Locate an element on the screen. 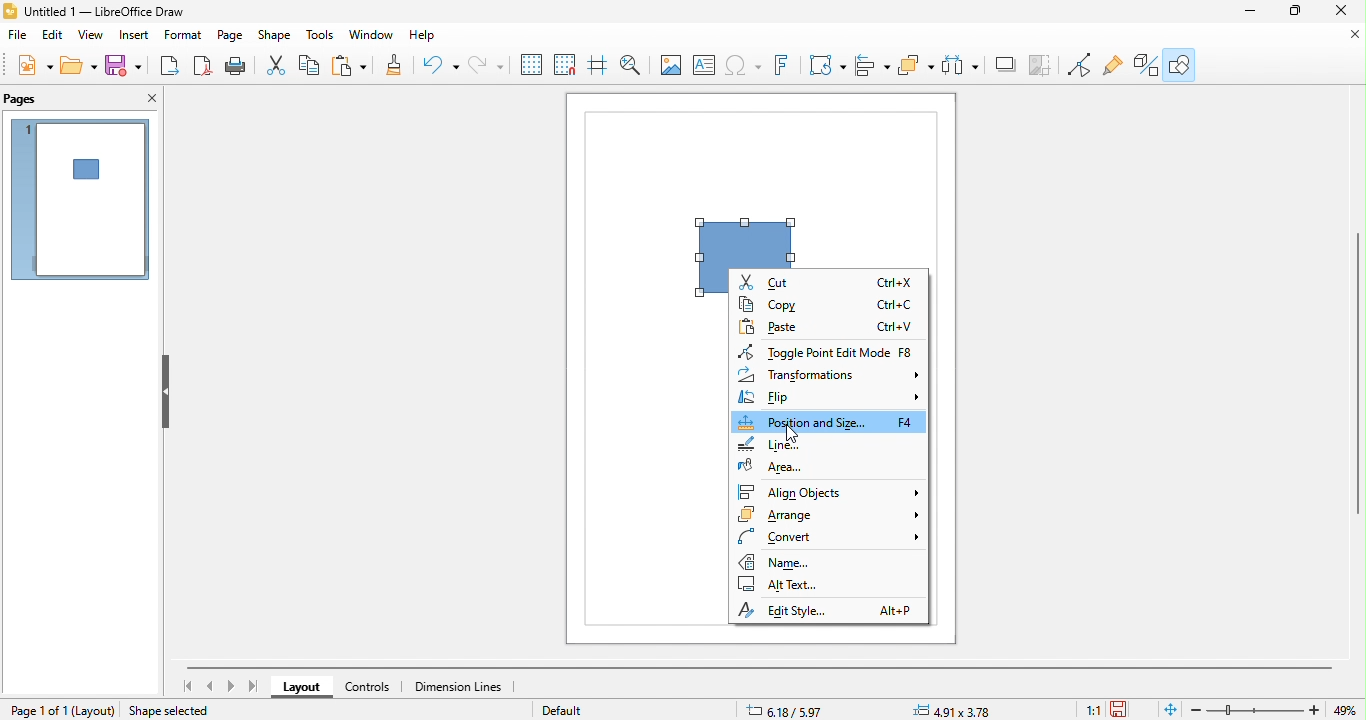  export directly as pdf is located at coordinates (199, 66).